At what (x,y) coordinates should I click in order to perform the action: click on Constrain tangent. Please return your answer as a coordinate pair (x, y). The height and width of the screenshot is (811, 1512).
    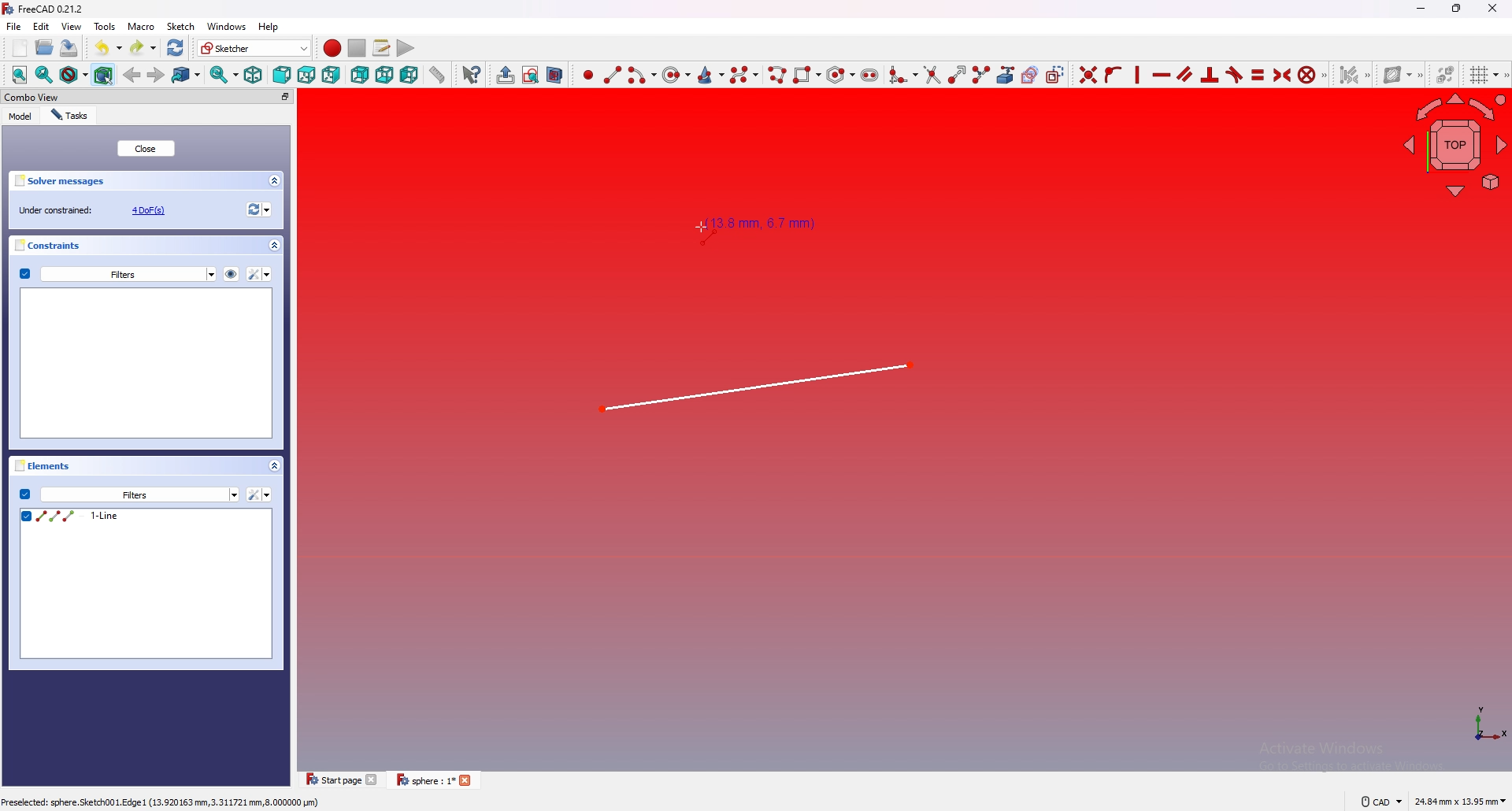
    Looking at the image, I should click on (1234, 75).